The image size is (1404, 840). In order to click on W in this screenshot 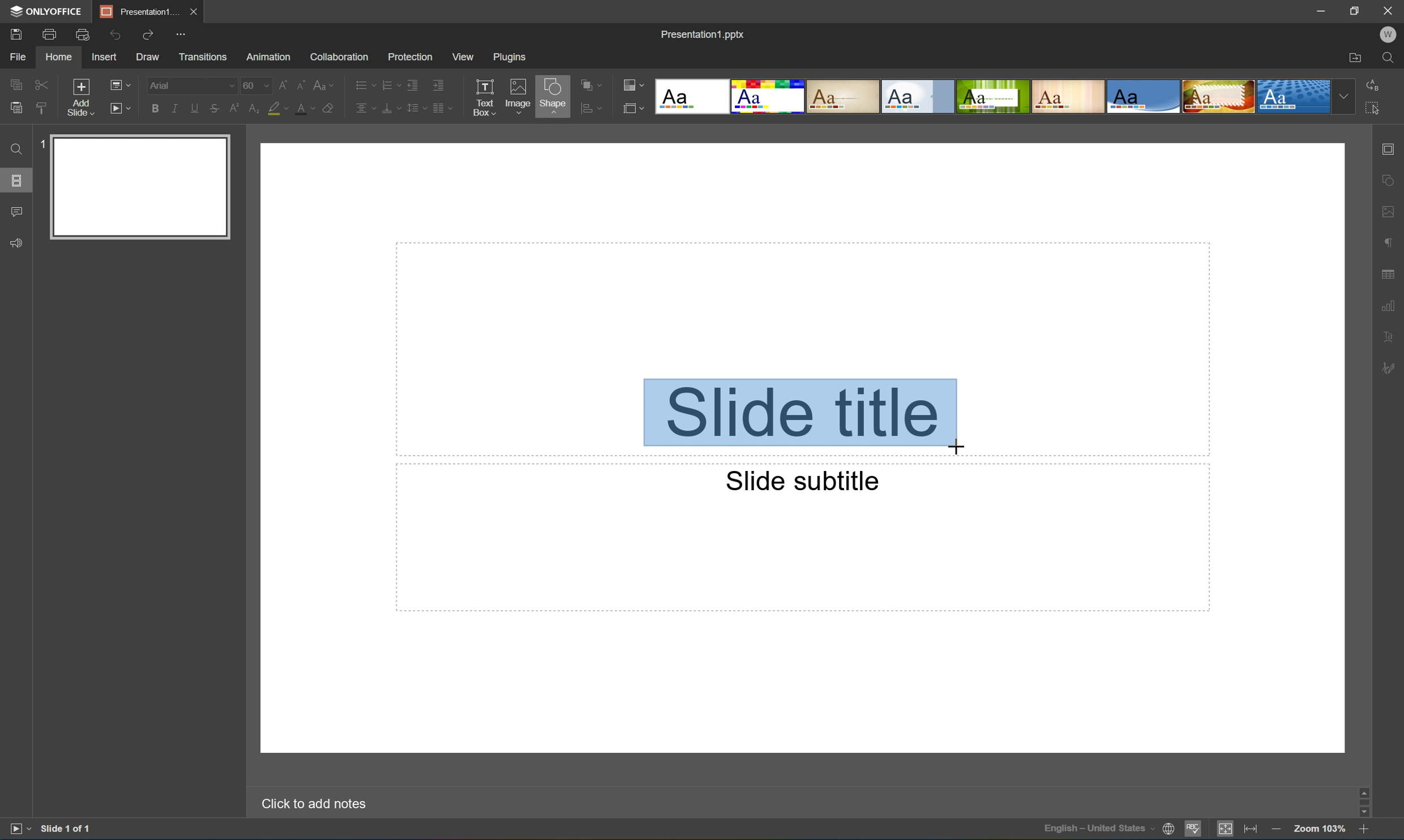, I will do `click(1388, 32)`.